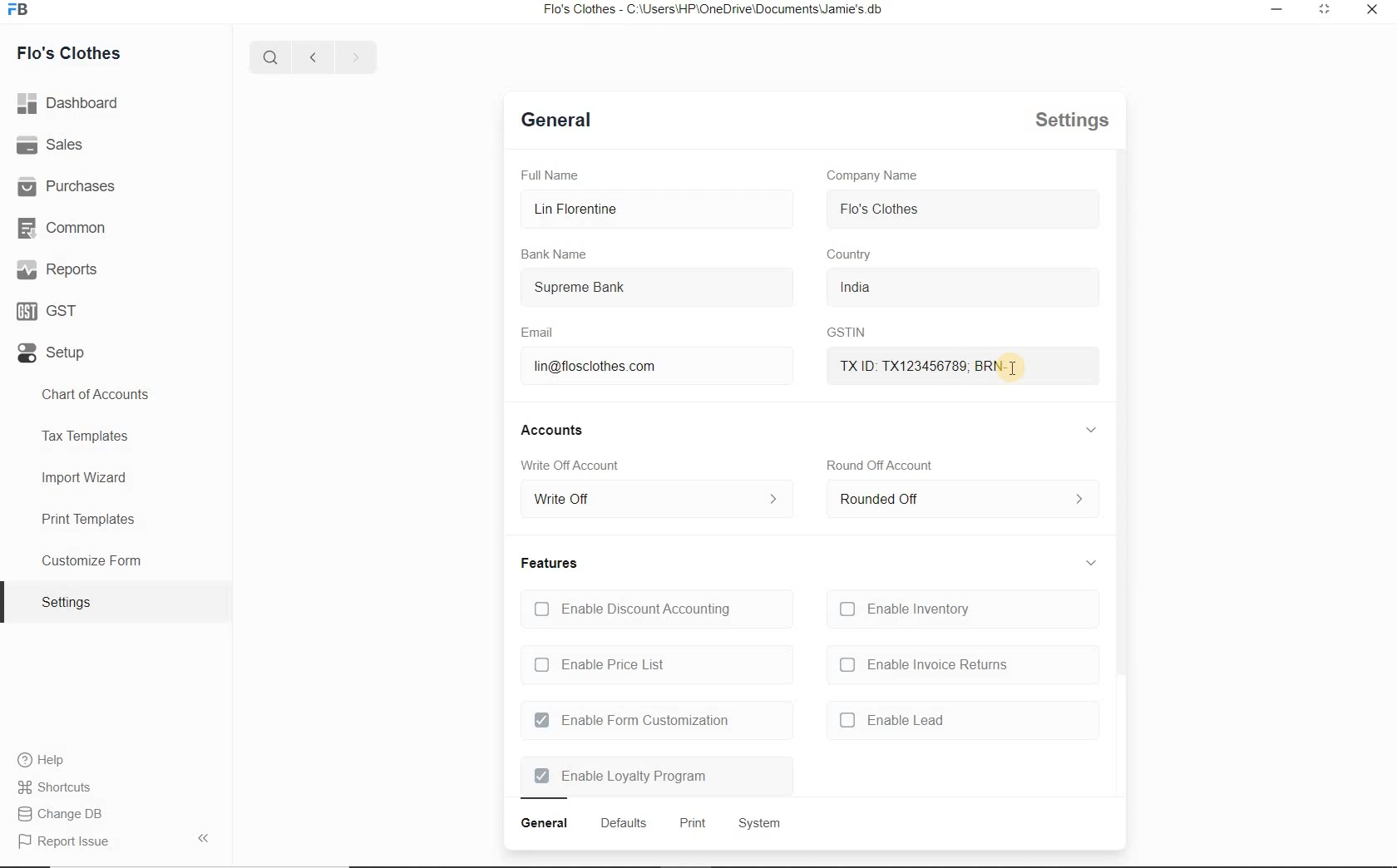 The image size is (1397, 868). What do you see at coordinates (68, 816) in the screenshot?
I see `Report Issue` at bounding box center [68, 816].